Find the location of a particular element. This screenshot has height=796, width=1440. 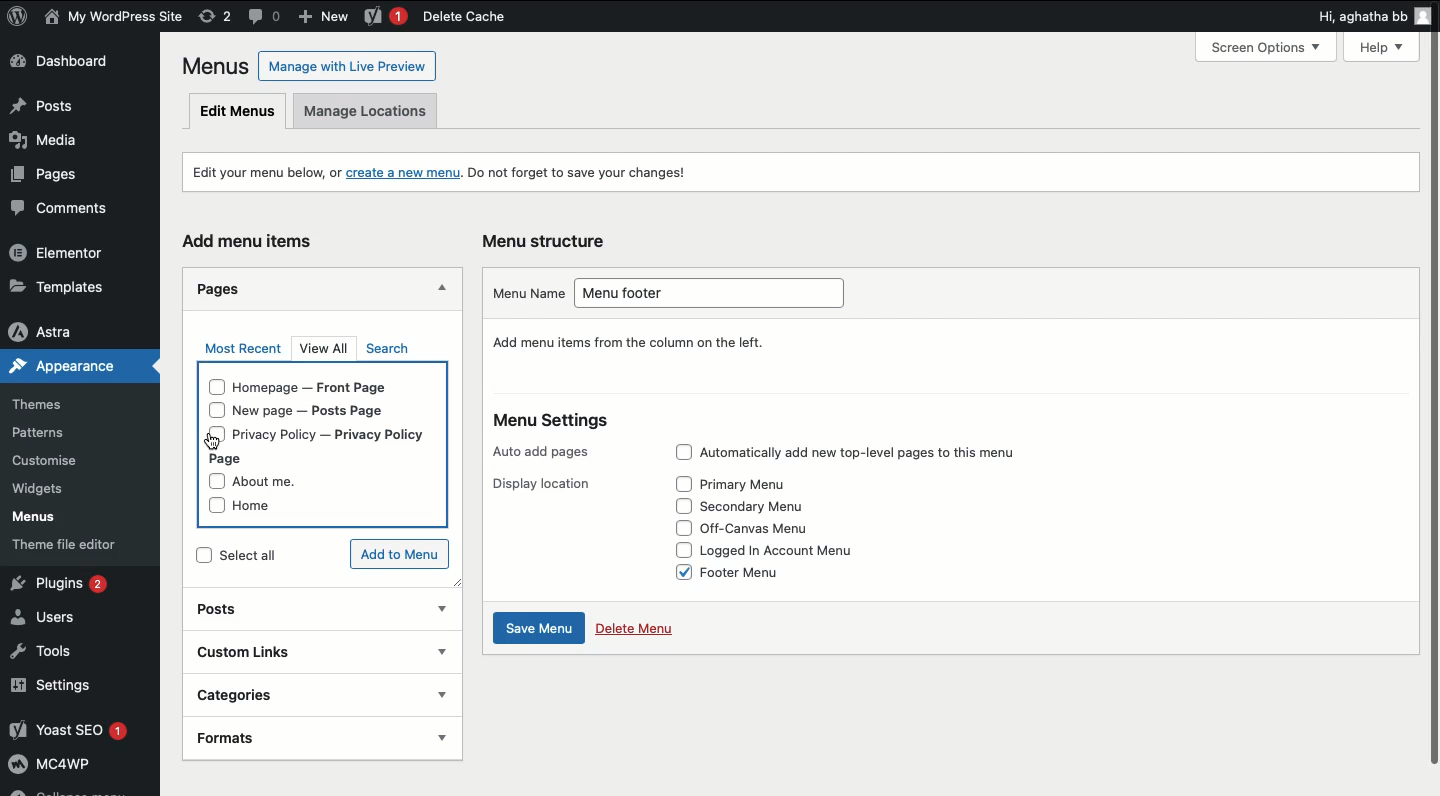

Astra is located at coordinates (71, 331).